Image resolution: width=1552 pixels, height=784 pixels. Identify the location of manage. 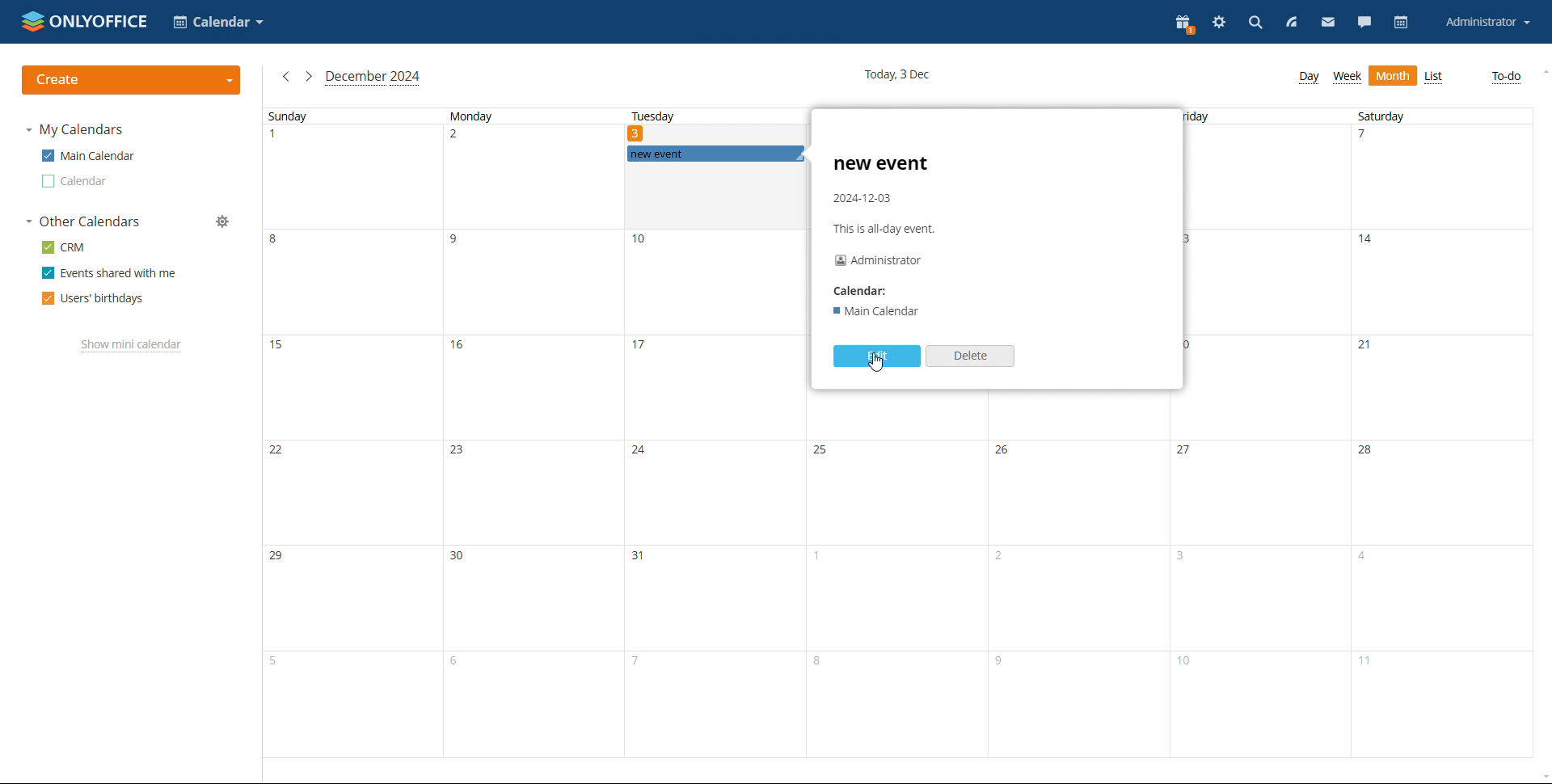
(223, 221).